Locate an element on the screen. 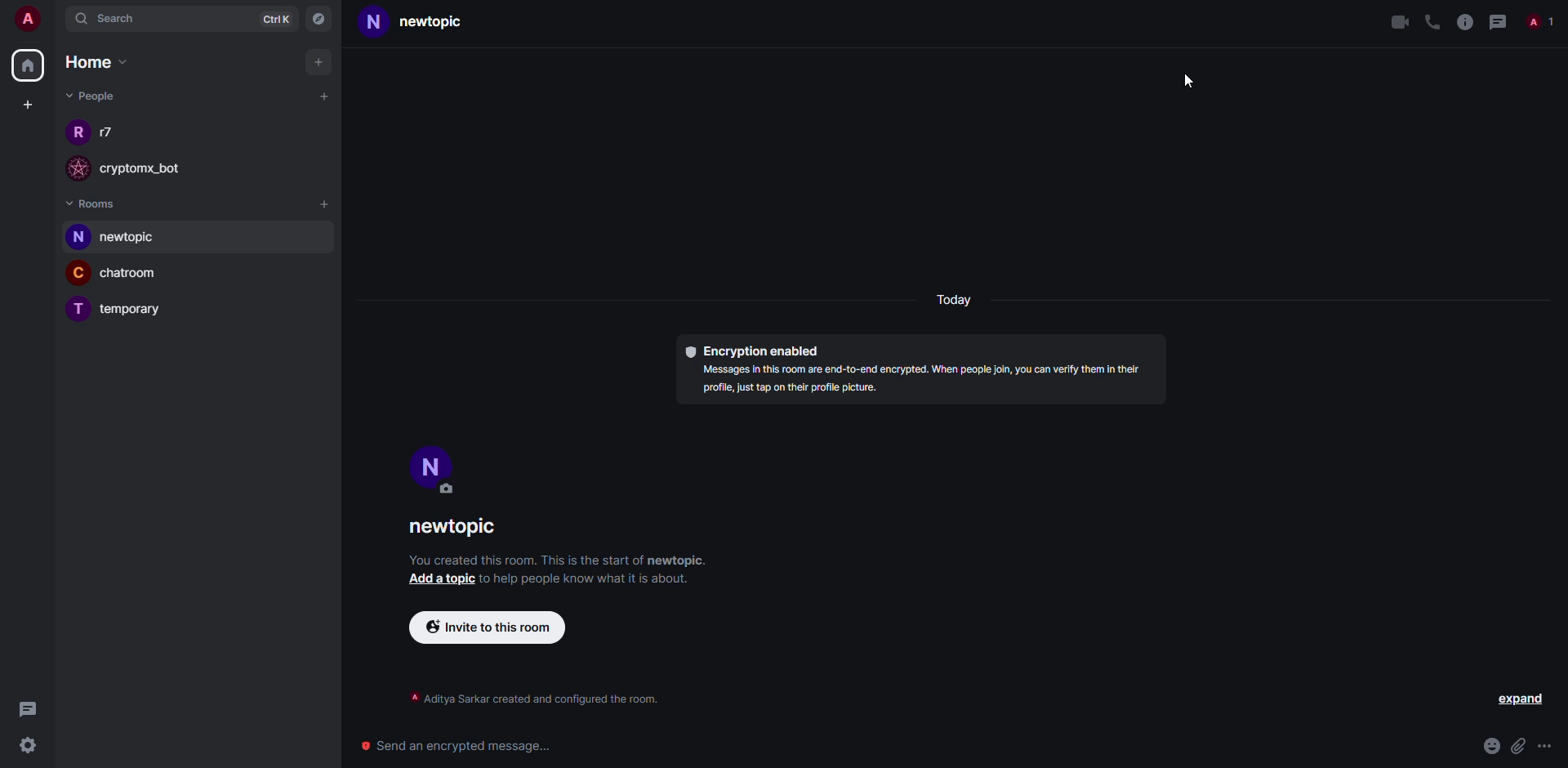 This screenshot has height=768, width=1568. newtopic is located at coordinates (429, 25).